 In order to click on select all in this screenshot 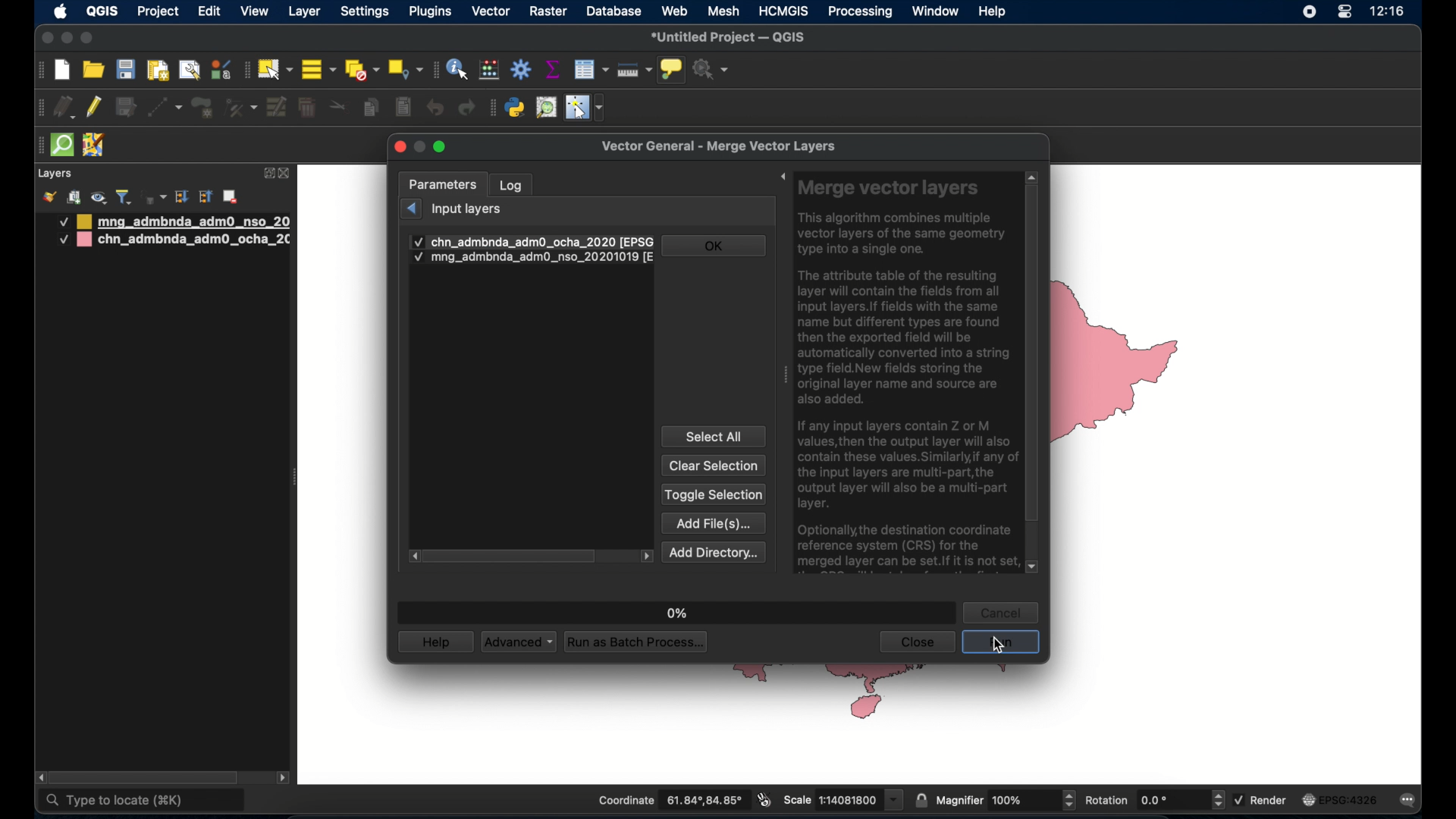, I will do `click(714, 436)`.